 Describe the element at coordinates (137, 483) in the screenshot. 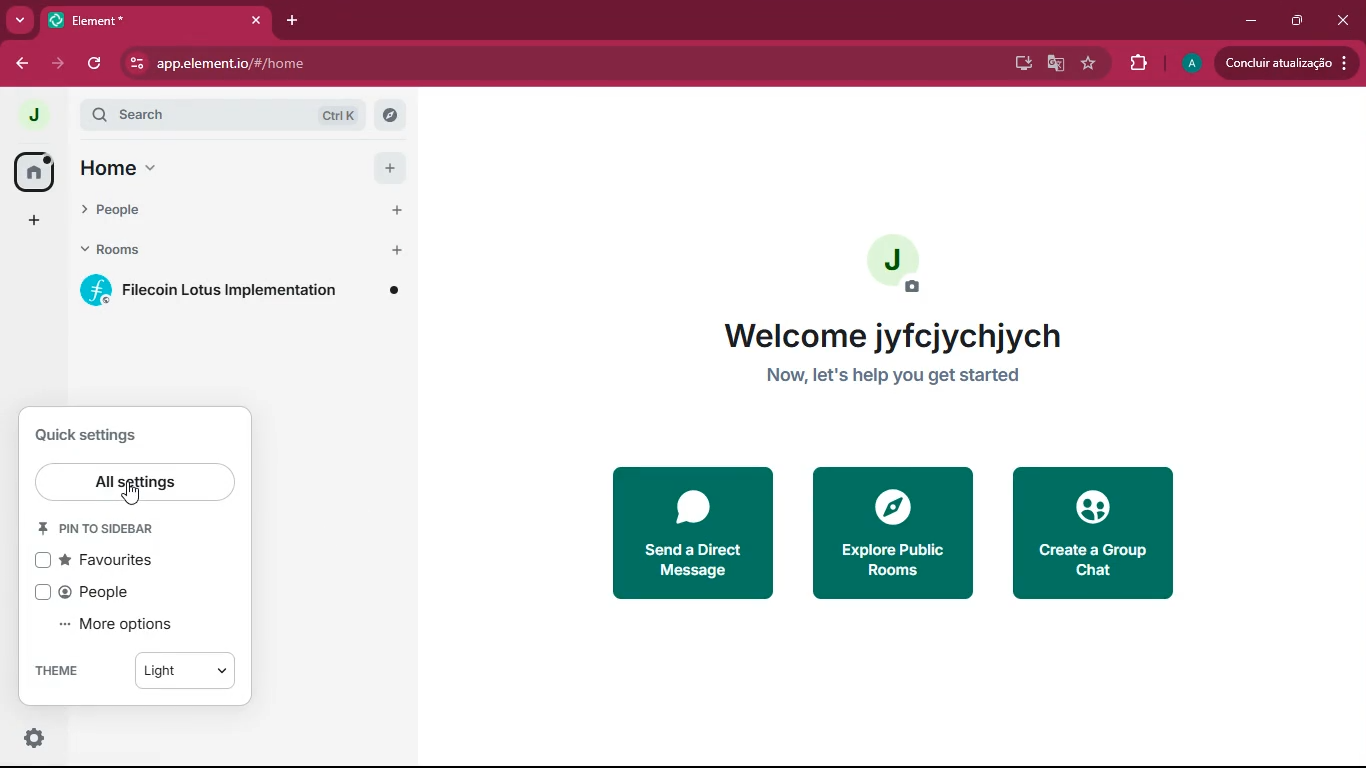

I see `all settings` at that location.